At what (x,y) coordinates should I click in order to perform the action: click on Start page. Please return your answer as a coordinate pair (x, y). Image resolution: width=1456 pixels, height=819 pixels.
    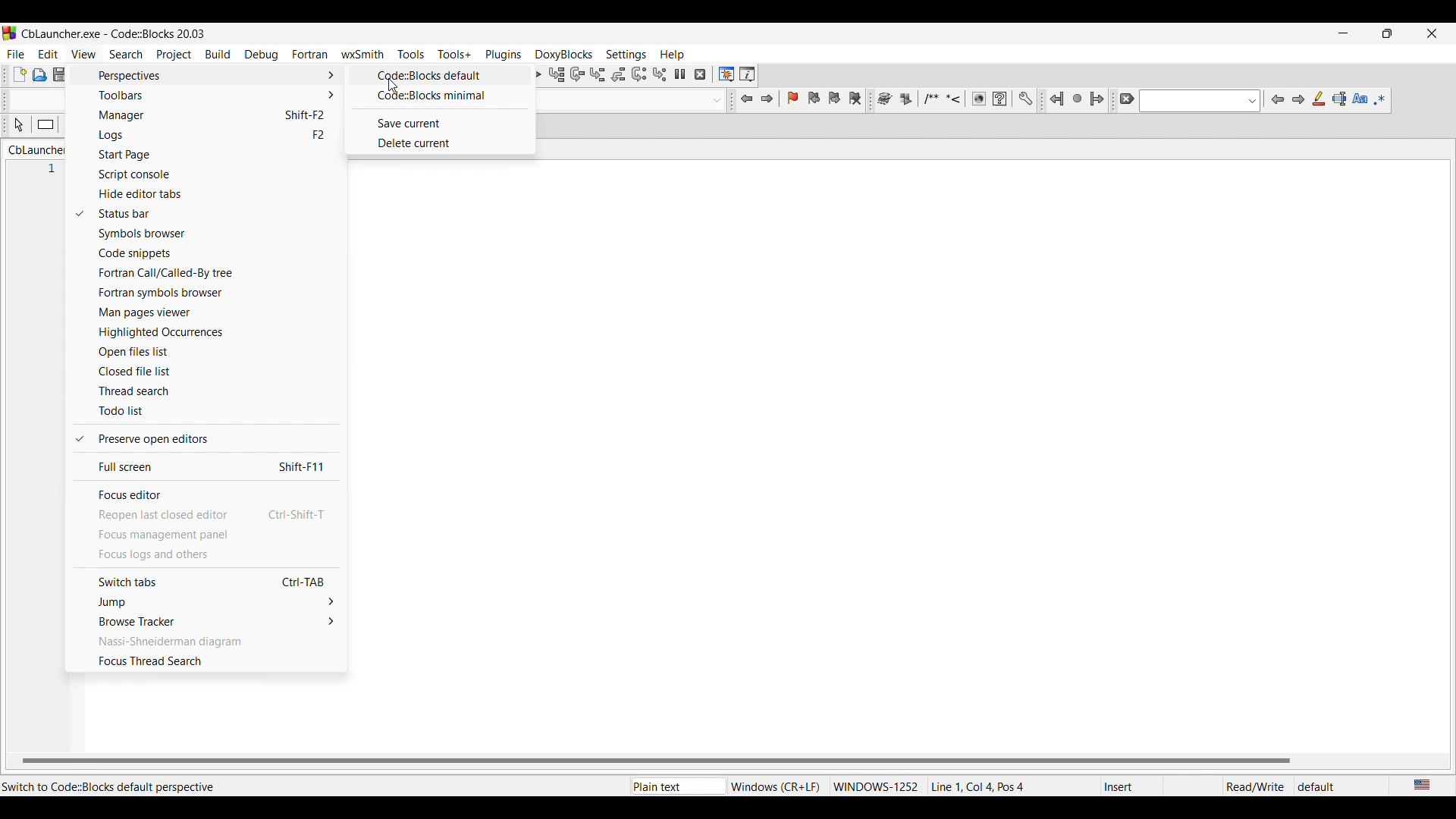
    Looking at the image, I should click on (218, 155).